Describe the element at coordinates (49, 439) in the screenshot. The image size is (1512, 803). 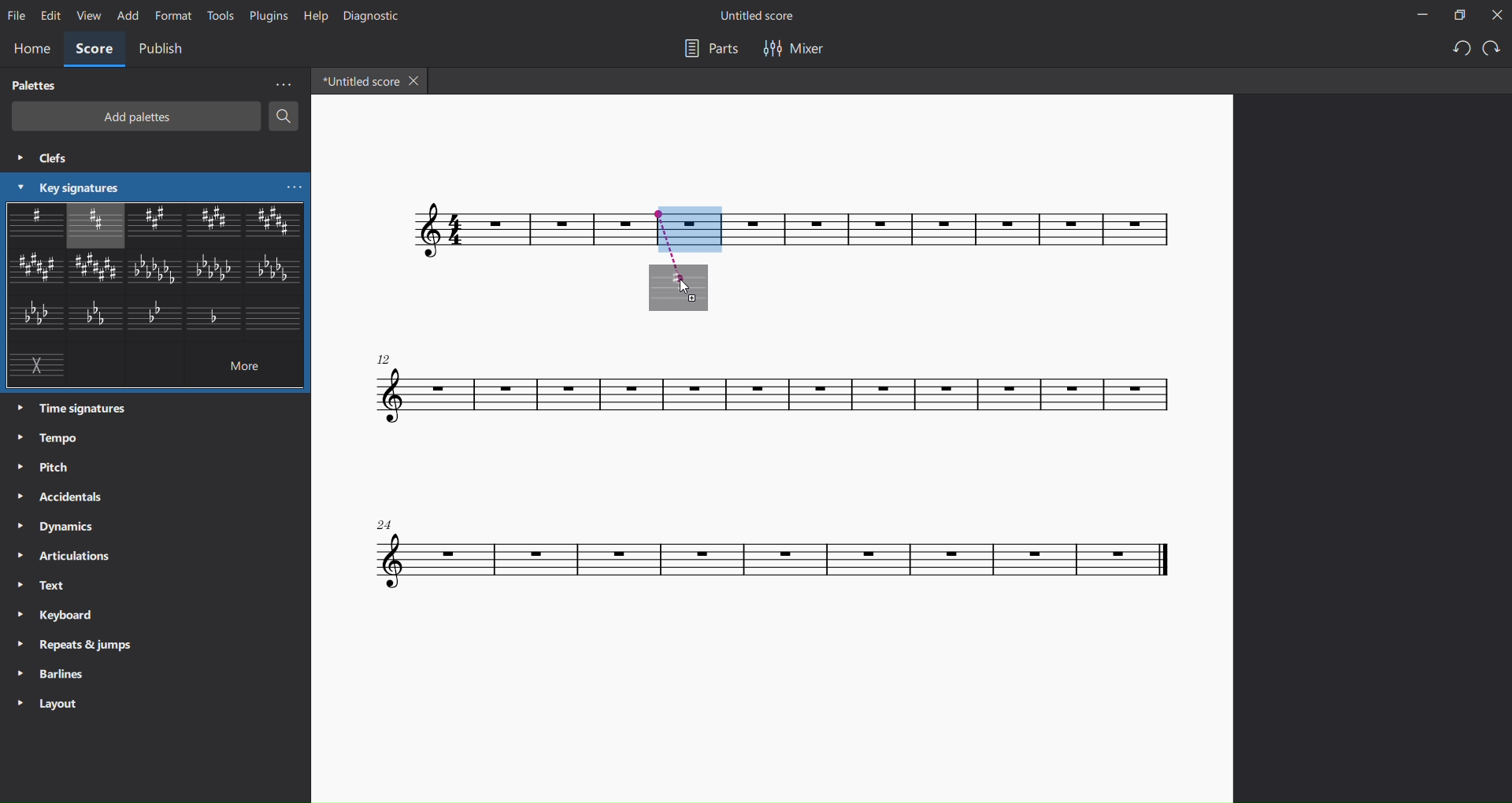
I see `tempo` at that location.